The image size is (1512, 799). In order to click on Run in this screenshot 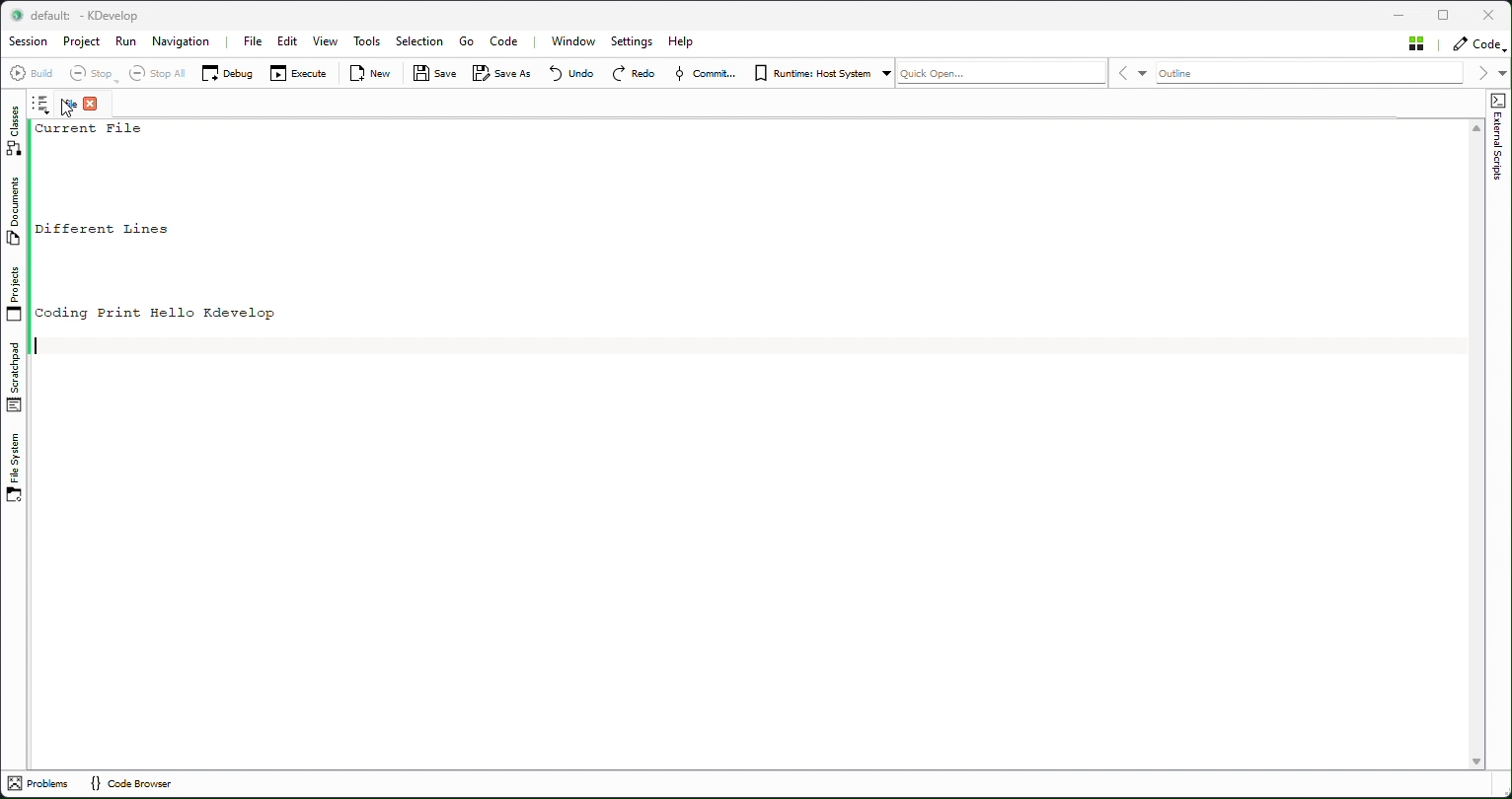, I will do `click(126, 41)`.